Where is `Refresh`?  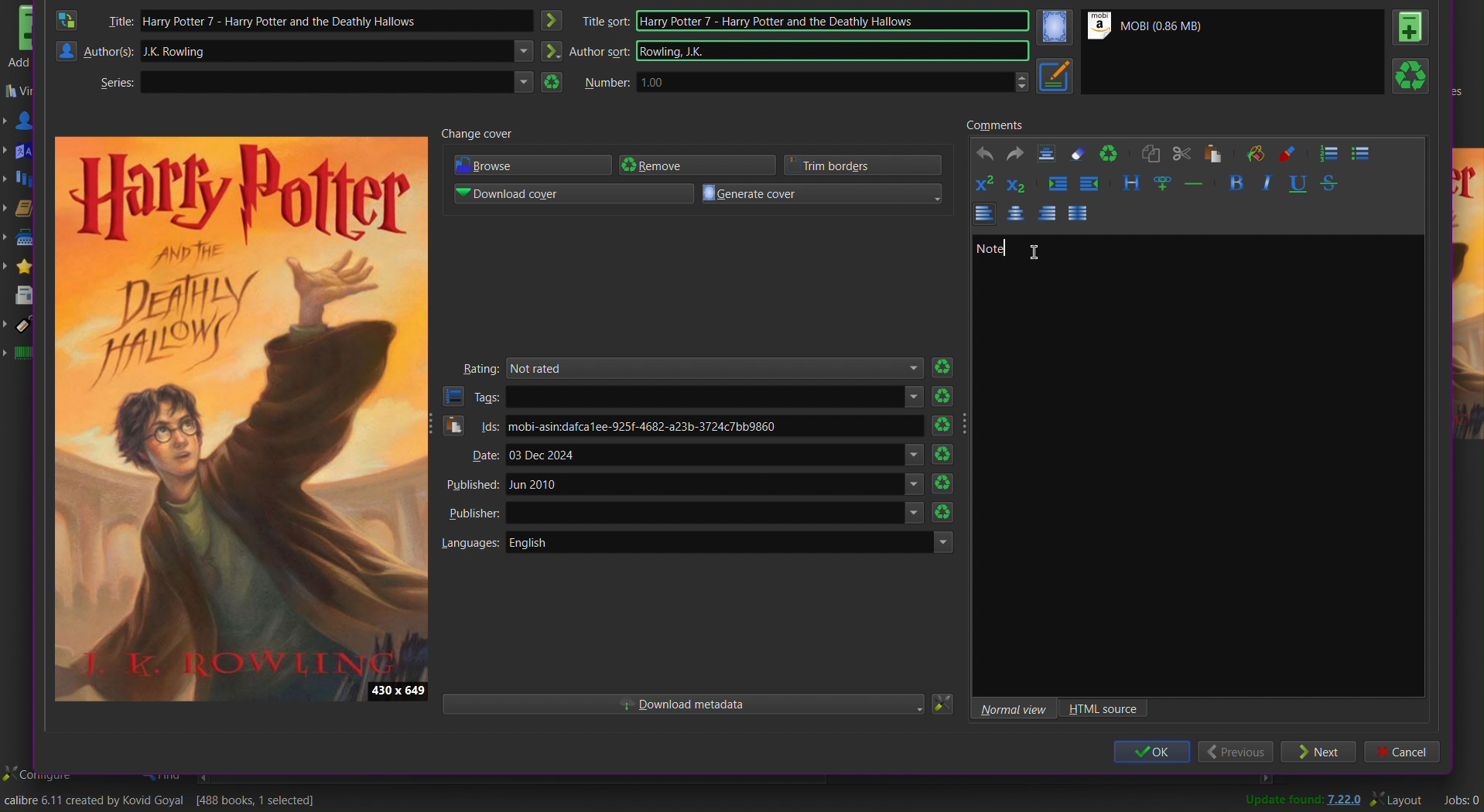
Refresh is located at coordinates (944, 514).